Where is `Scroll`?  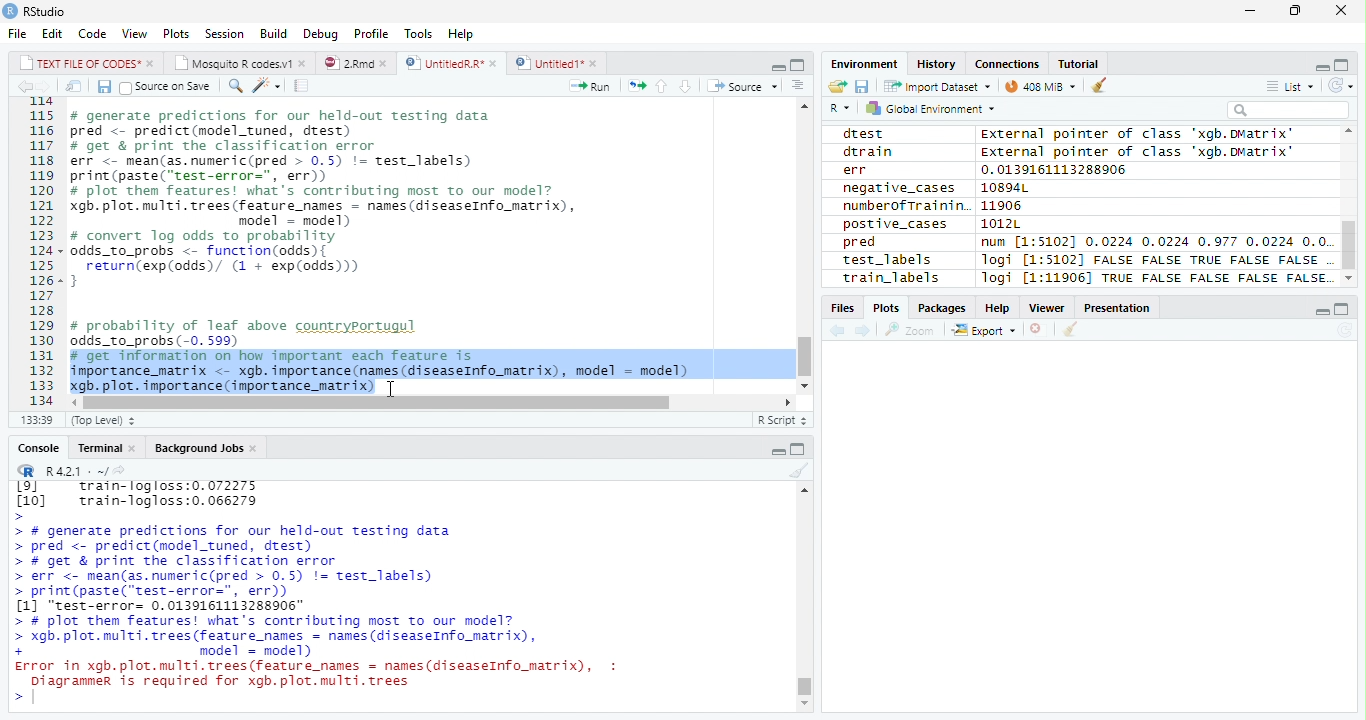 Scroll is located at coordinates (1349, 207).